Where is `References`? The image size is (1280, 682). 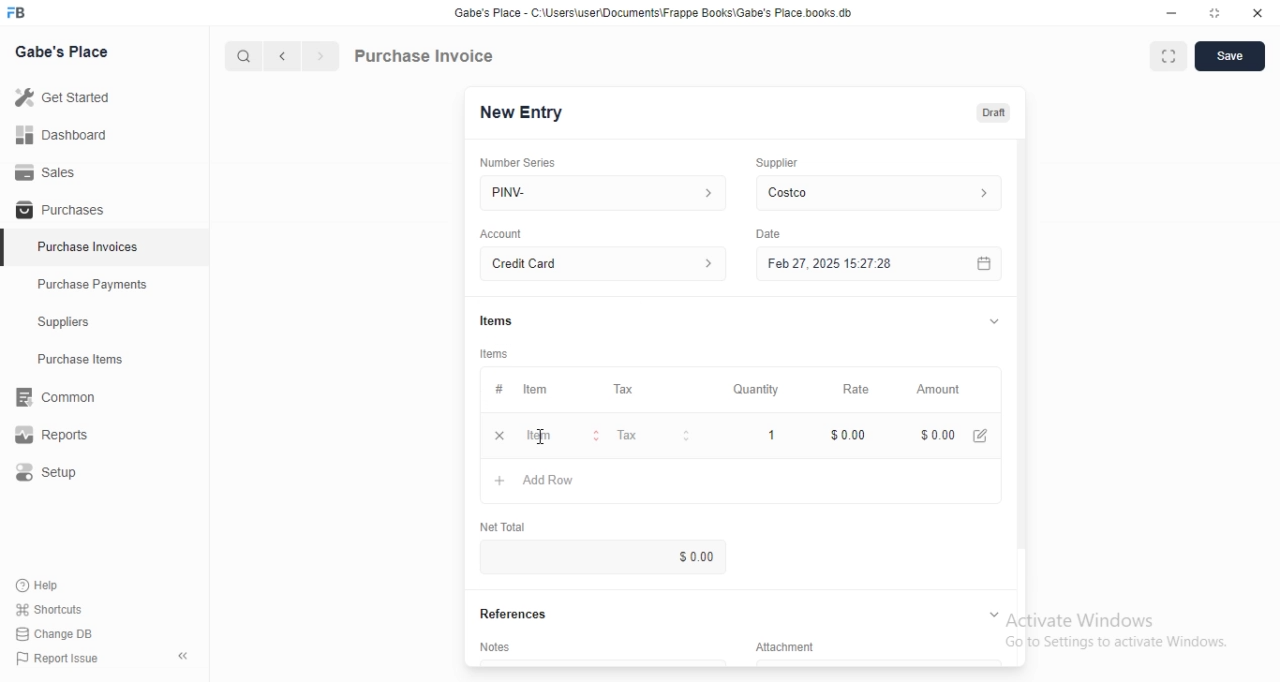 References is located at coordinates (513, 614).